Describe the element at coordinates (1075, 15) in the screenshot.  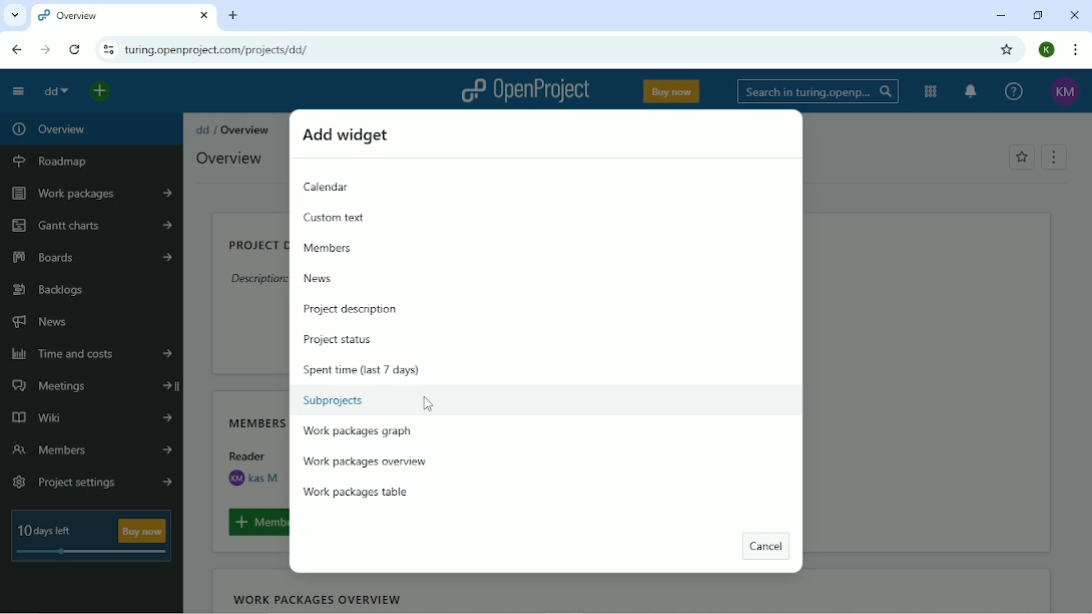
I see `Close` at that location.